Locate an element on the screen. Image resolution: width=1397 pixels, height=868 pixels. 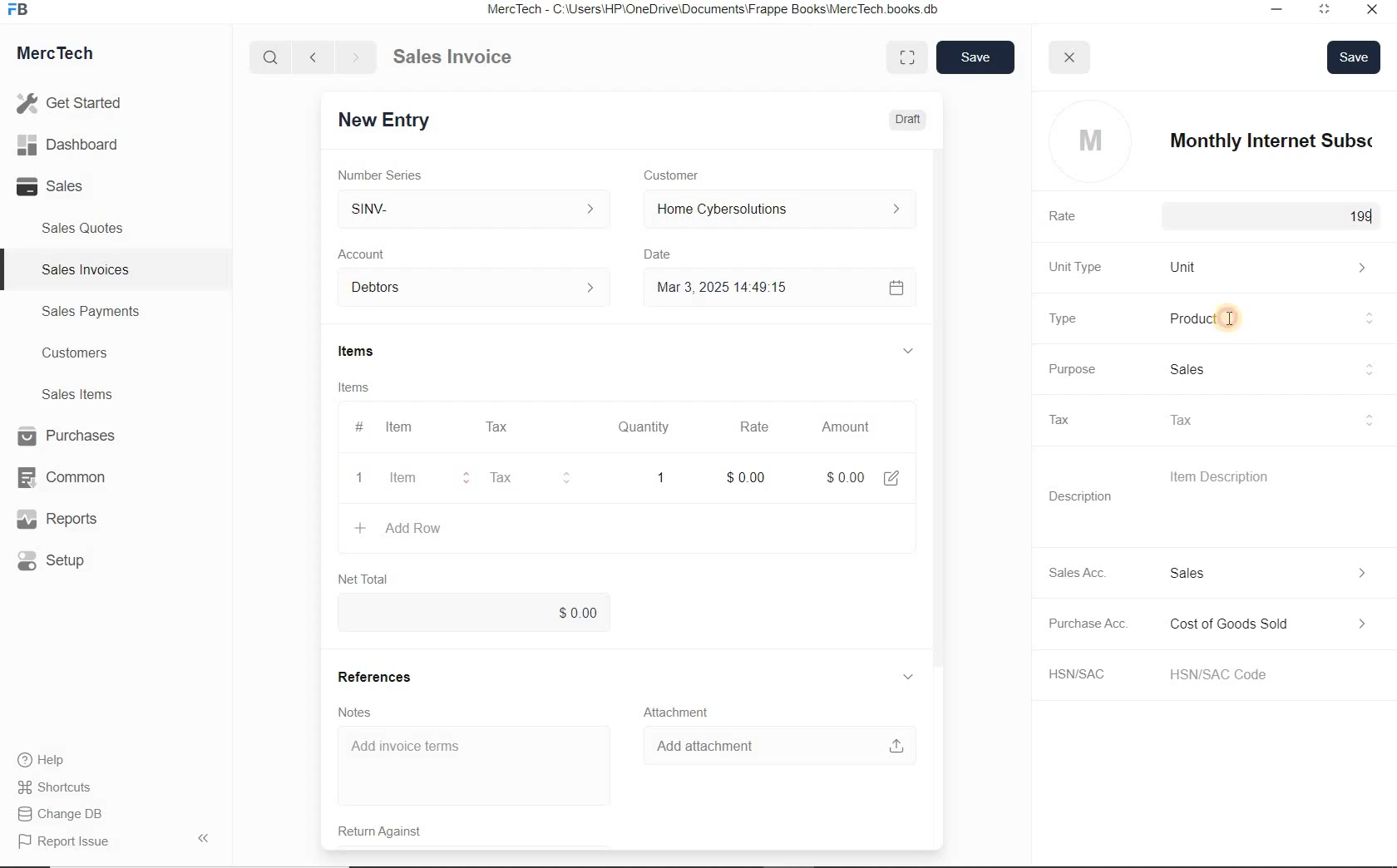
Unit Type is located at coordinates (1079, 267).